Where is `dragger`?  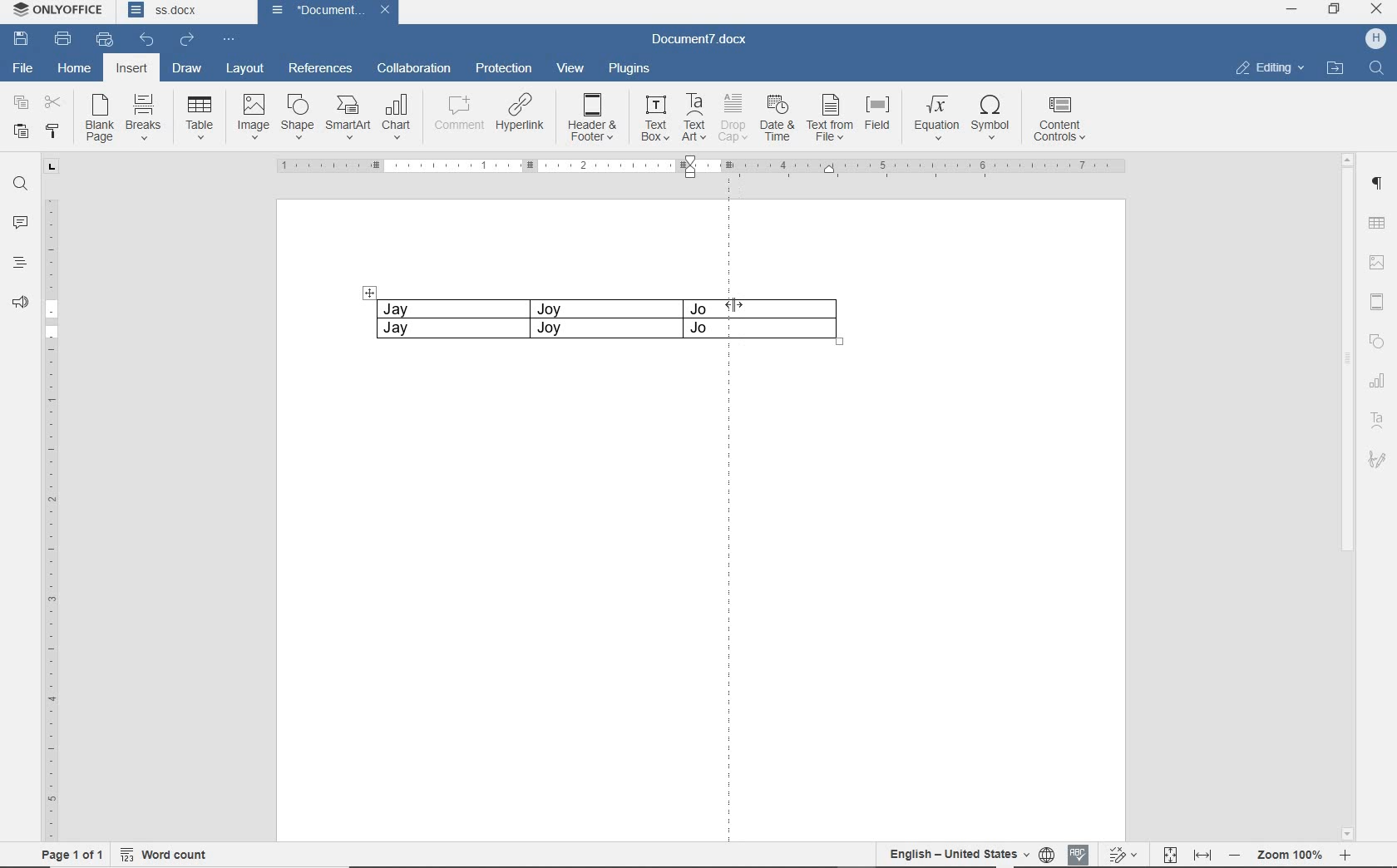
dragger is located at coordinates (369, 292).